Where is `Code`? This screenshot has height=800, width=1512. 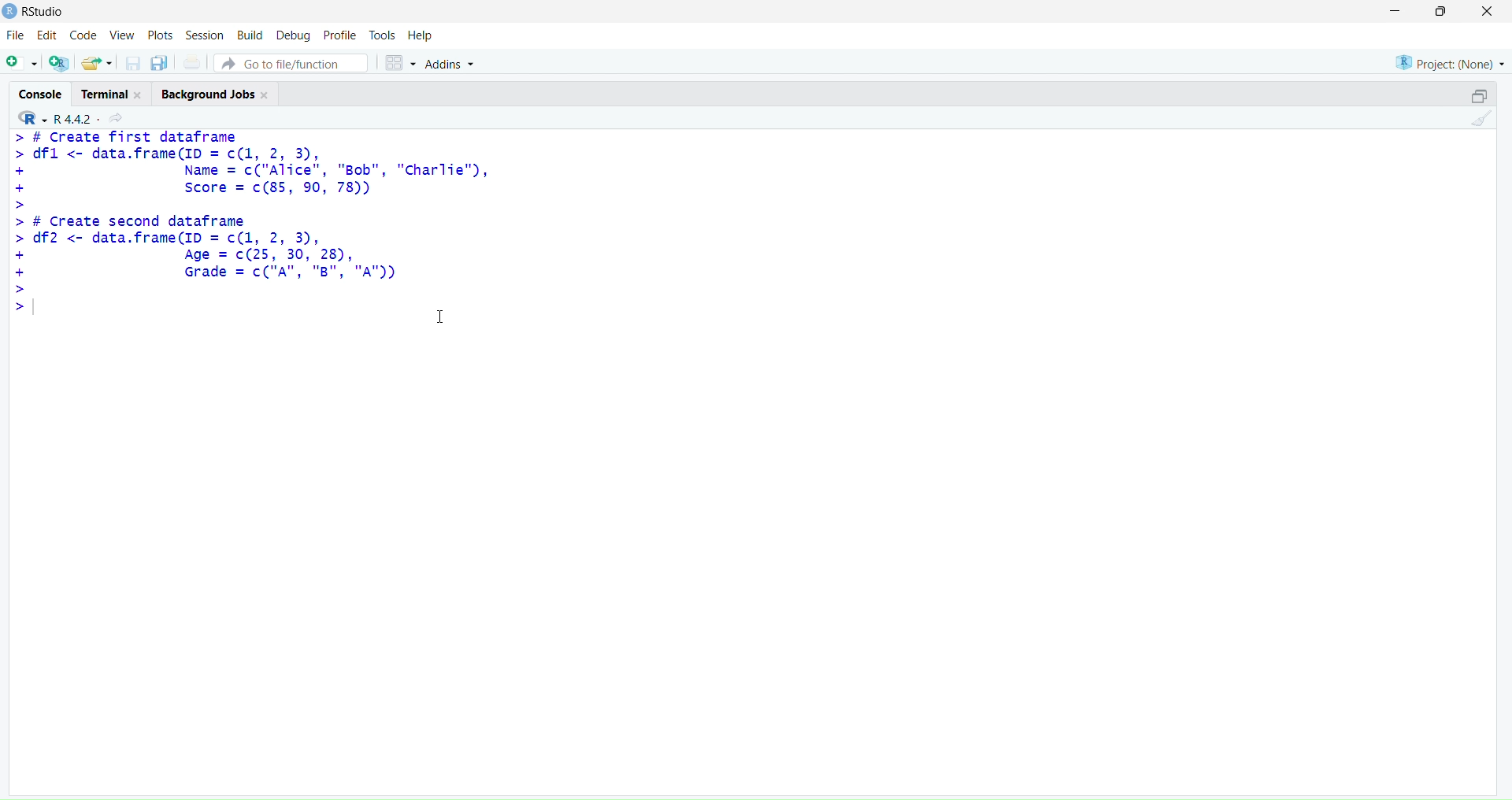 Code is located at coordinates (86, 35).